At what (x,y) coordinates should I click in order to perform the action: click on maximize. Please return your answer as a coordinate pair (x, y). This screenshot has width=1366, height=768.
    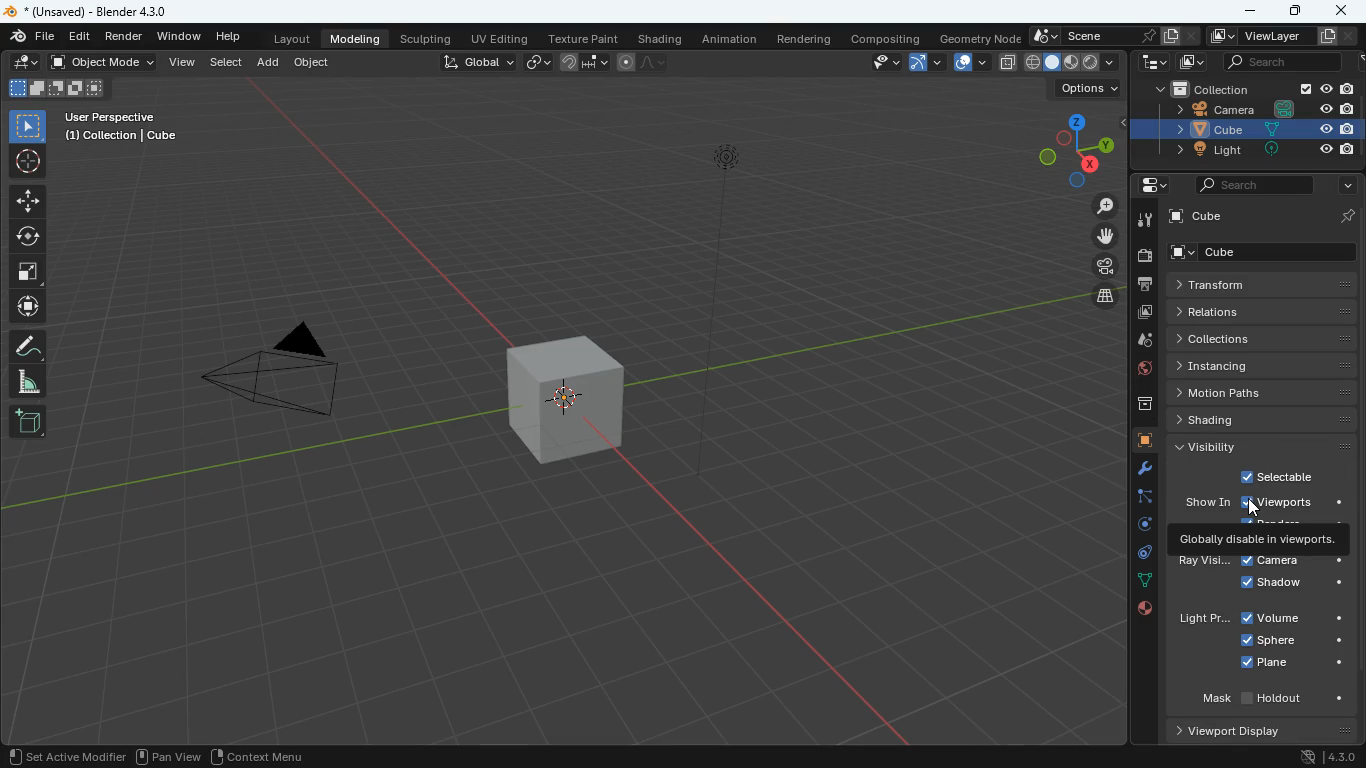
    Looking at the image, I should click on (1293, 11).